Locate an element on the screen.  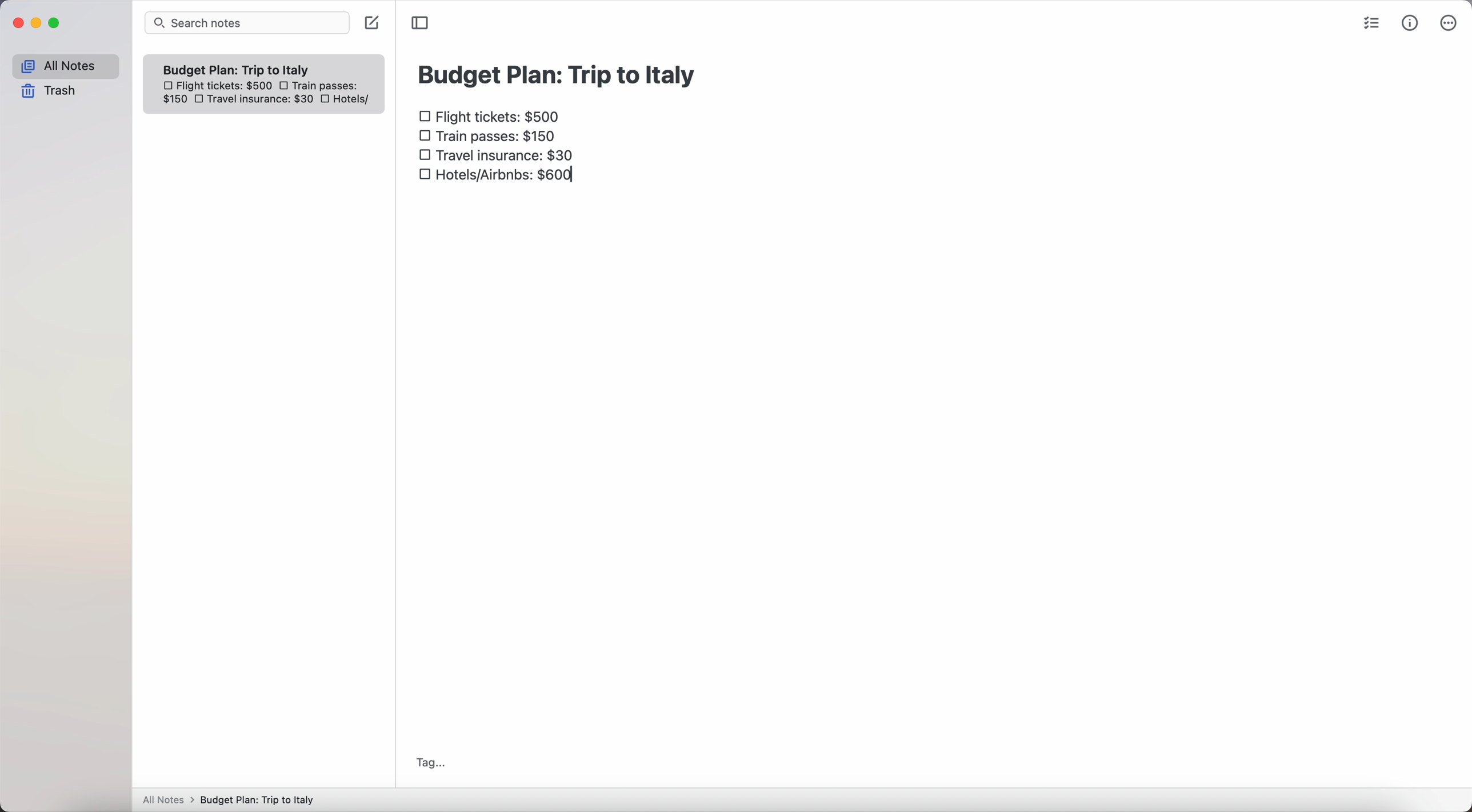
budget plan: trip to Italy is located at coordinates (559, 73).